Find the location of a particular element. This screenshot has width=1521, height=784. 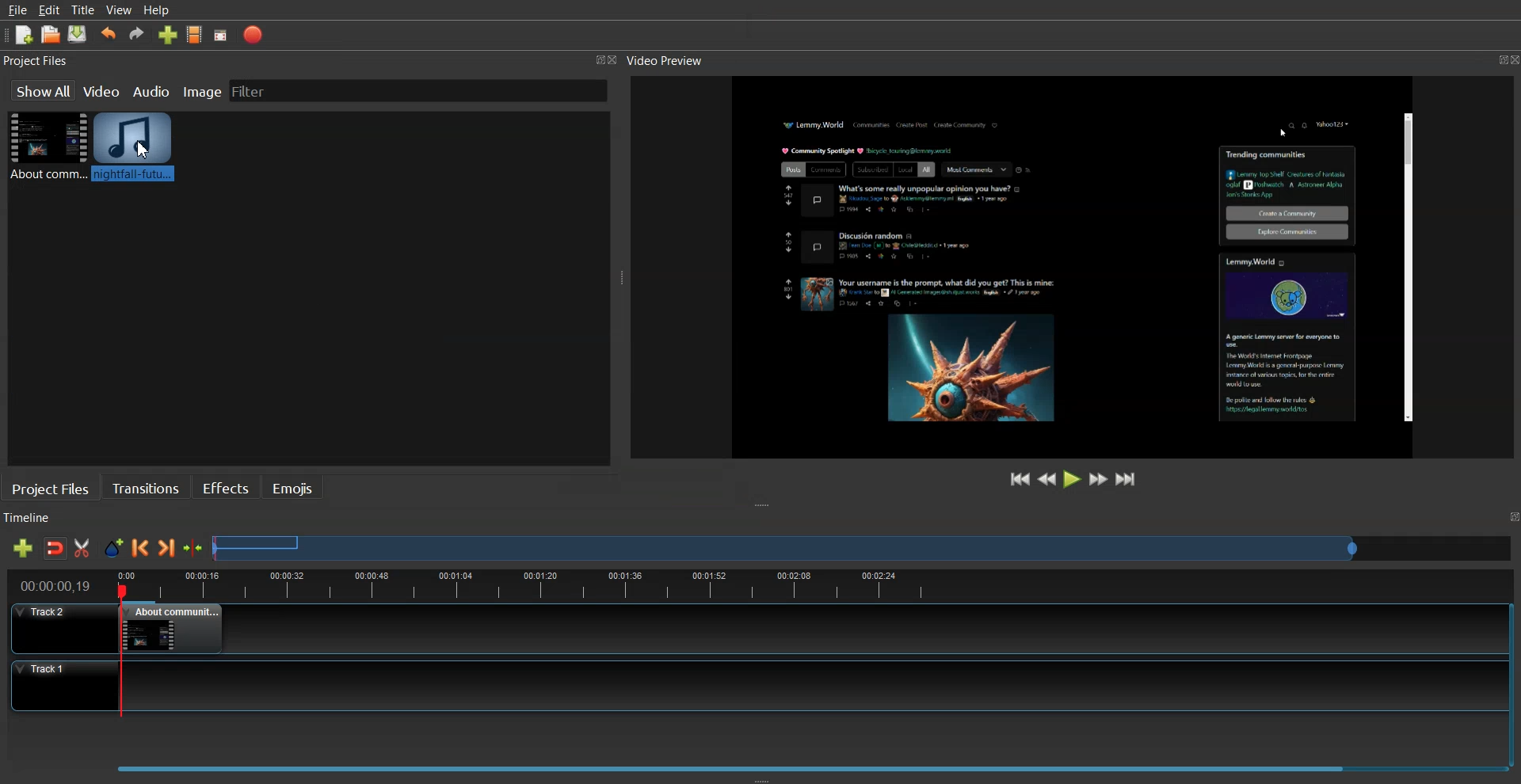

Cursor is located at coordinates (144, 150).